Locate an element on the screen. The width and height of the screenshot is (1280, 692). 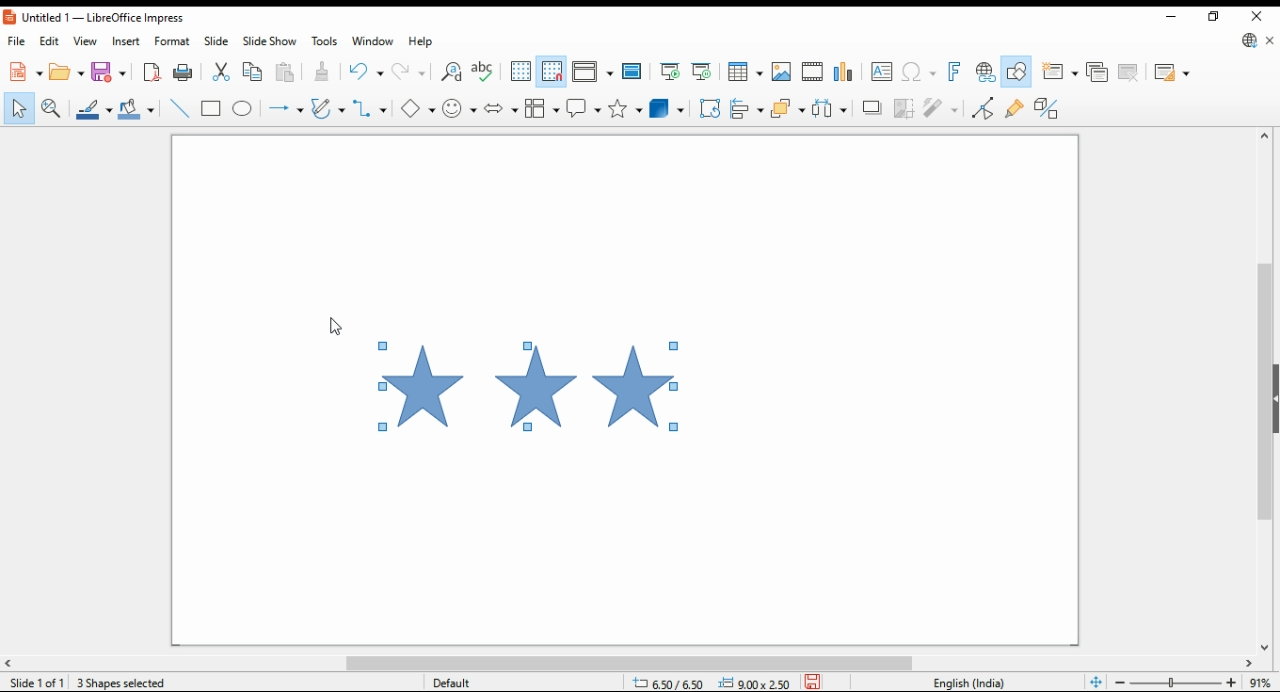
save is located at coordinates (812, 681).